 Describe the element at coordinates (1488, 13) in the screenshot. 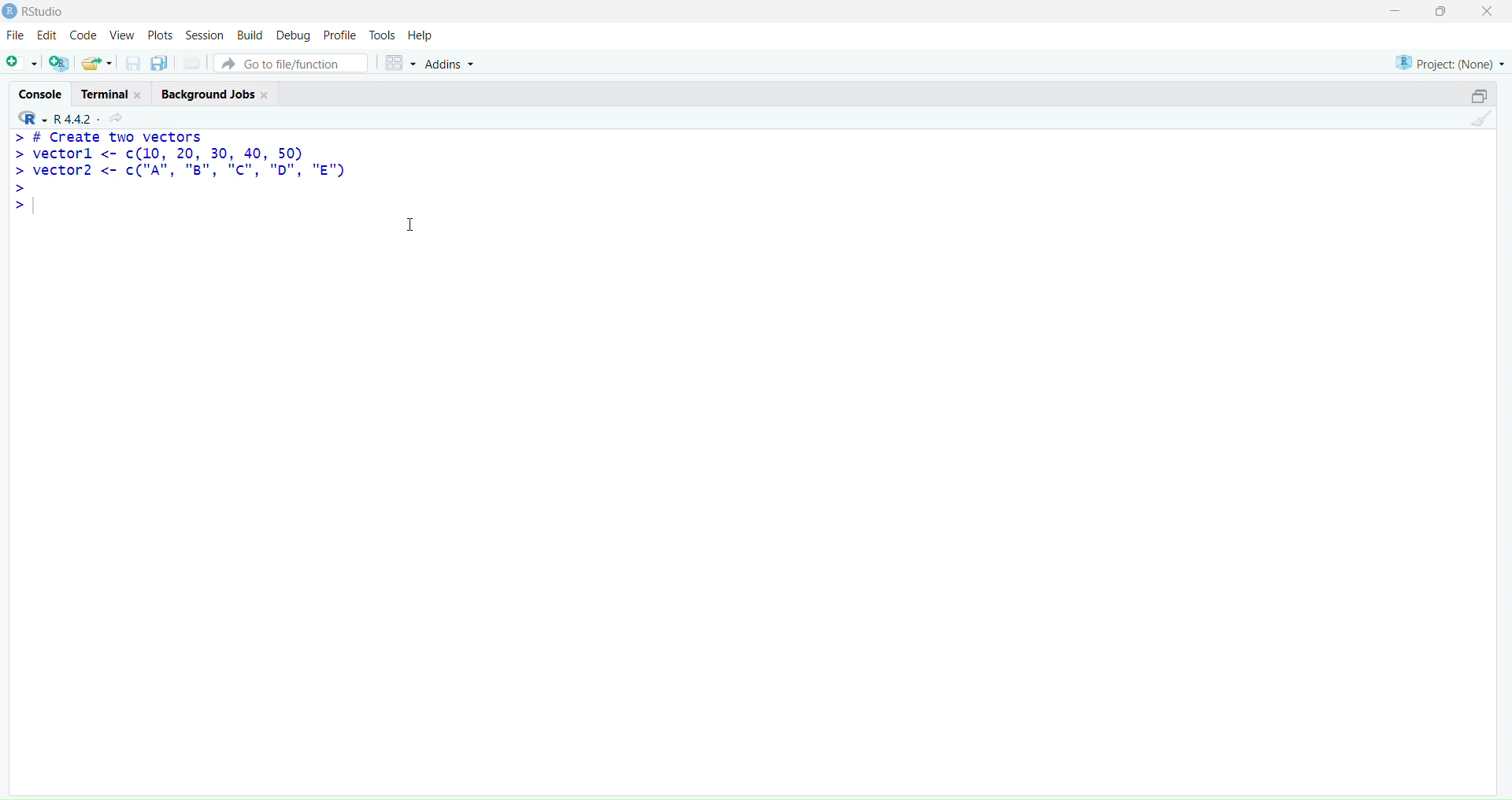

I see `Close` at that location.